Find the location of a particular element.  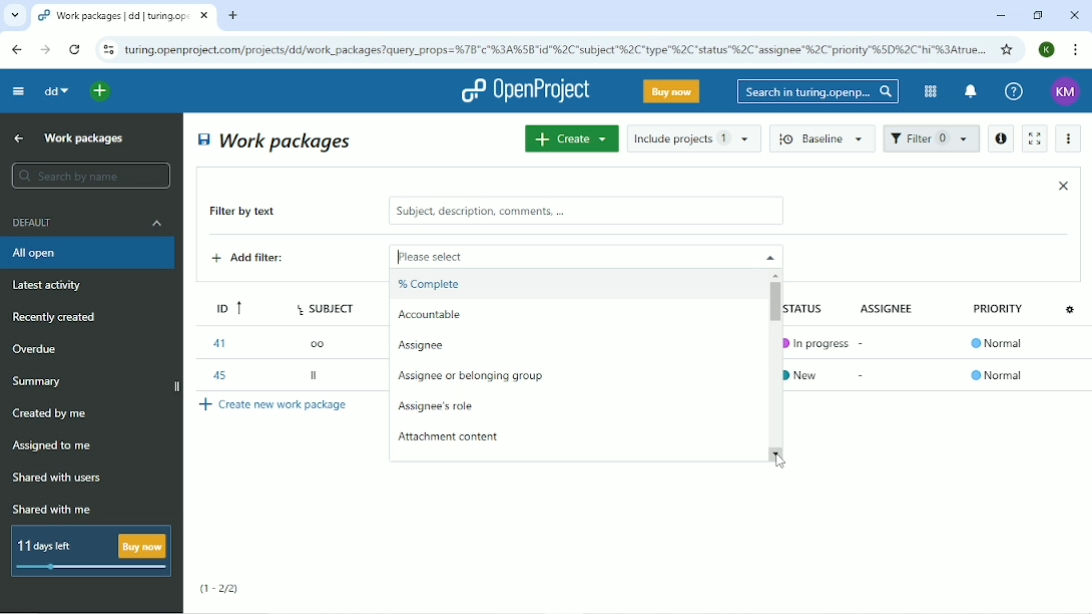

Attachment content is located at coordinates (449, 437).